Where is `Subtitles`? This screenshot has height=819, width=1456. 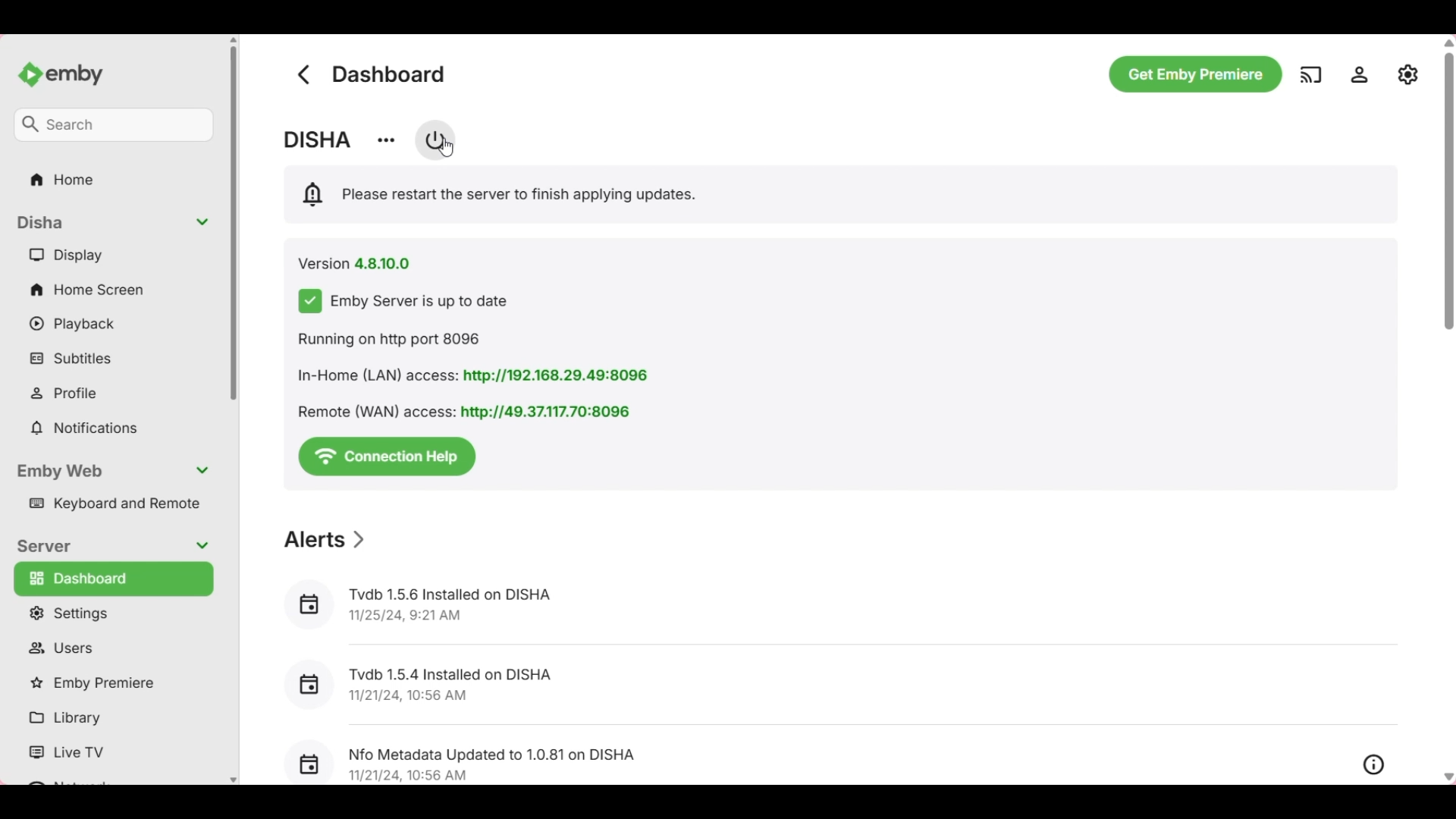 Subtitles is located at coordinates (113, 357).